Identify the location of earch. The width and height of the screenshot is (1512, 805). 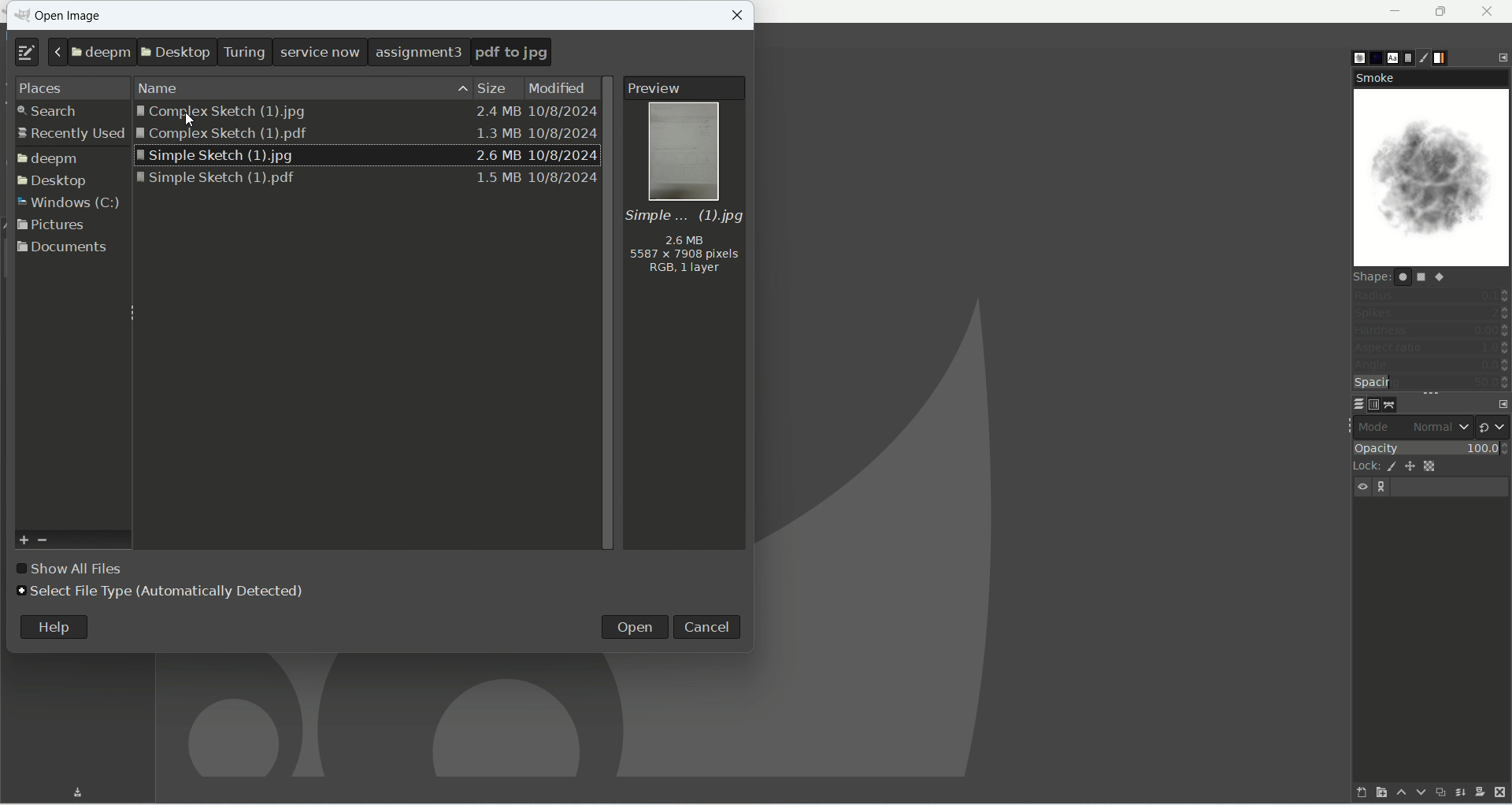
(63, 112).